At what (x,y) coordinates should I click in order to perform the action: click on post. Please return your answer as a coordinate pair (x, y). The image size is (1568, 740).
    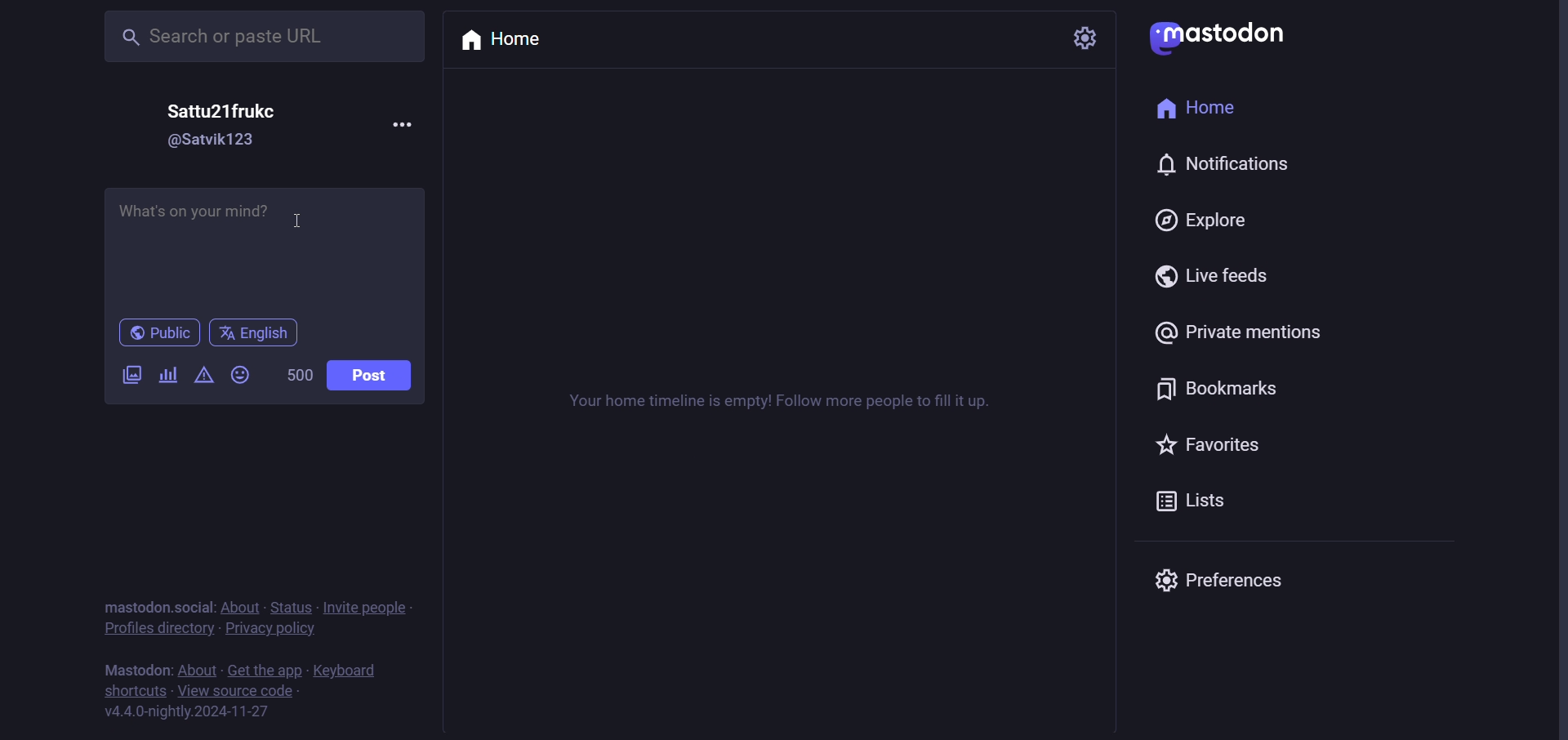
    Looking at the image, I should click on (371, 376).